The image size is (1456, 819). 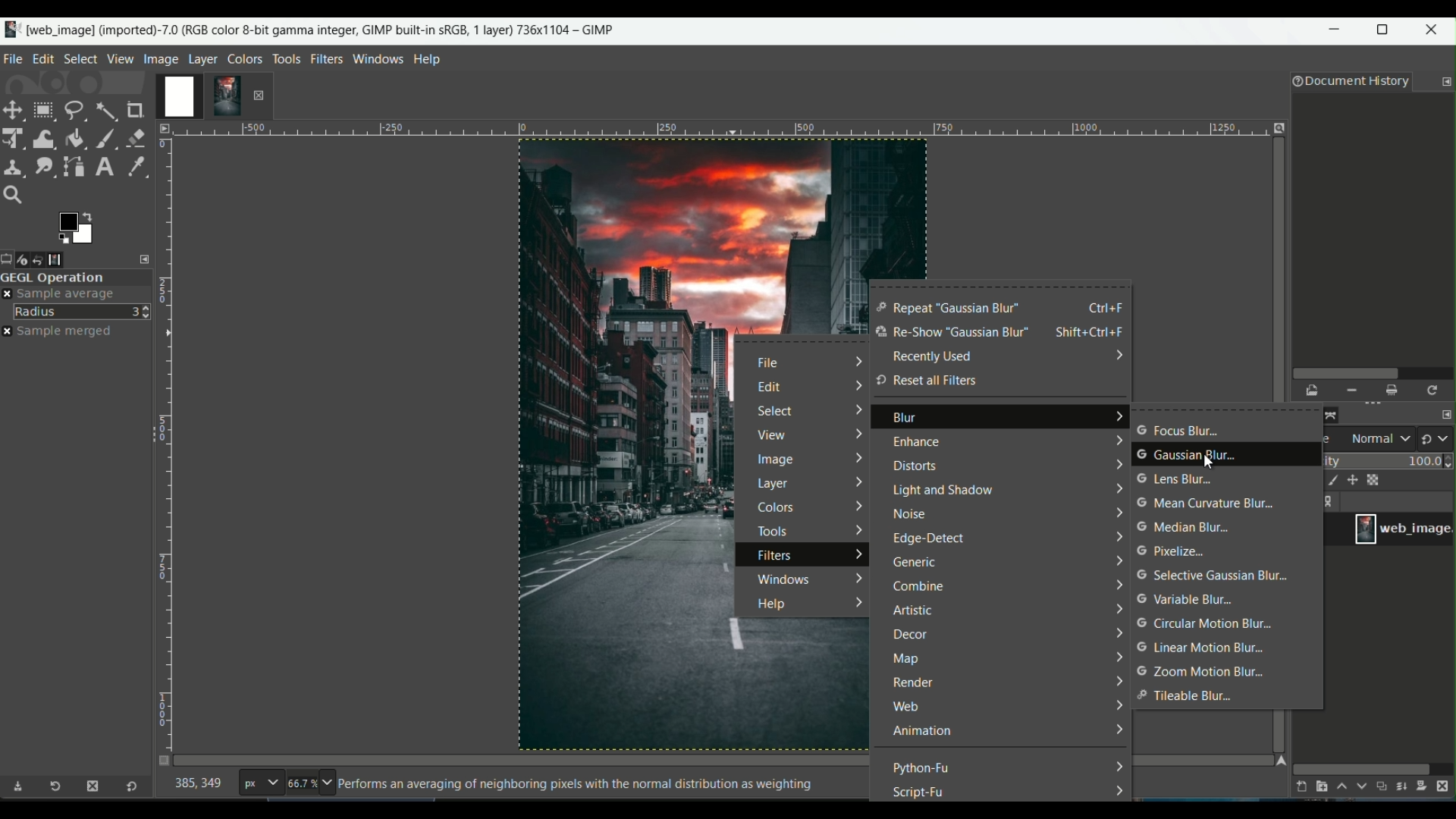 What do you see at coordinates (379, 58) in the screenshot?
I see `windows tab` at bounding box center [379, 58].